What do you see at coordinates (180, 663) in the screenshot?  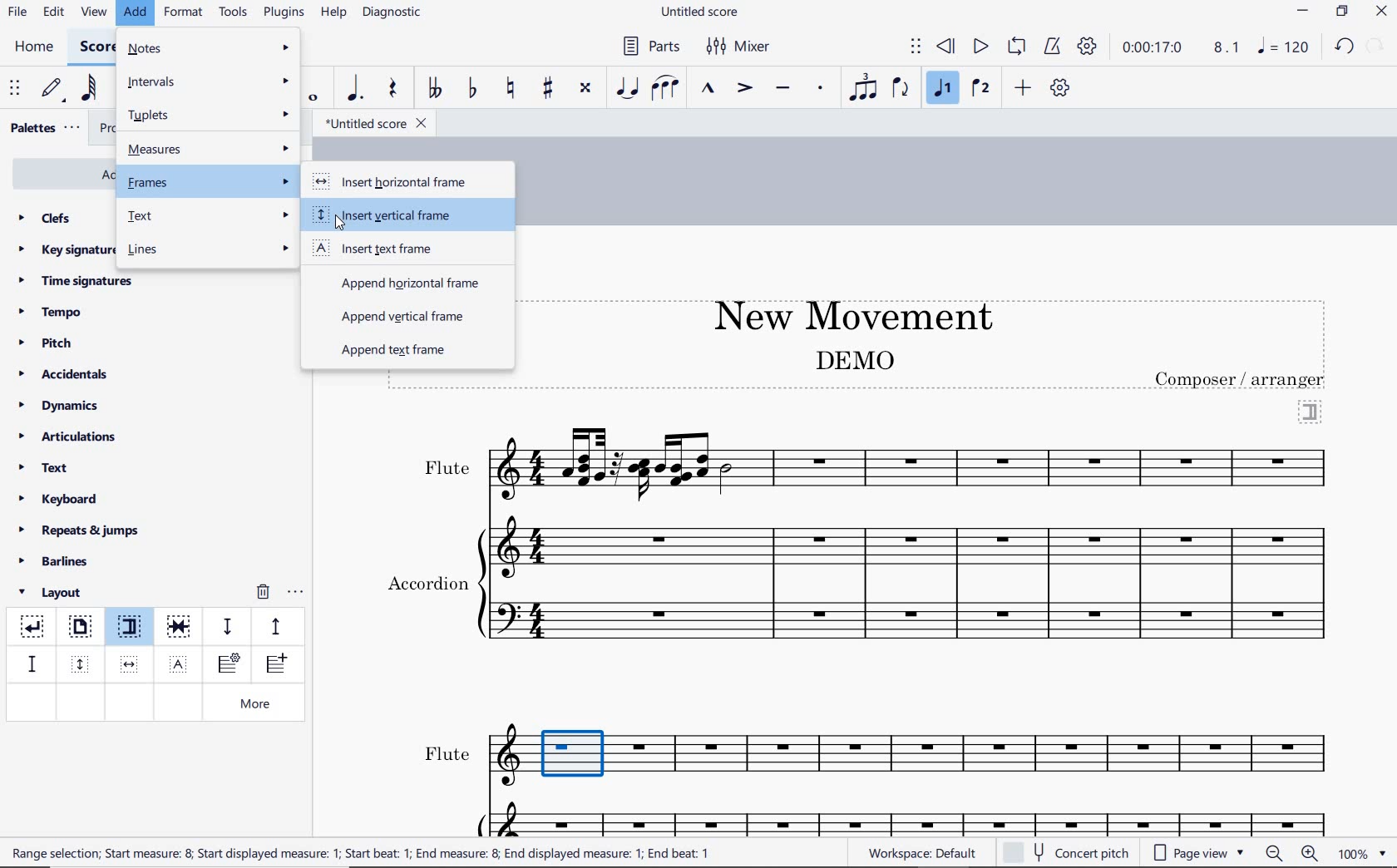 I see `insert text frame` at bounding box center [180, 663].